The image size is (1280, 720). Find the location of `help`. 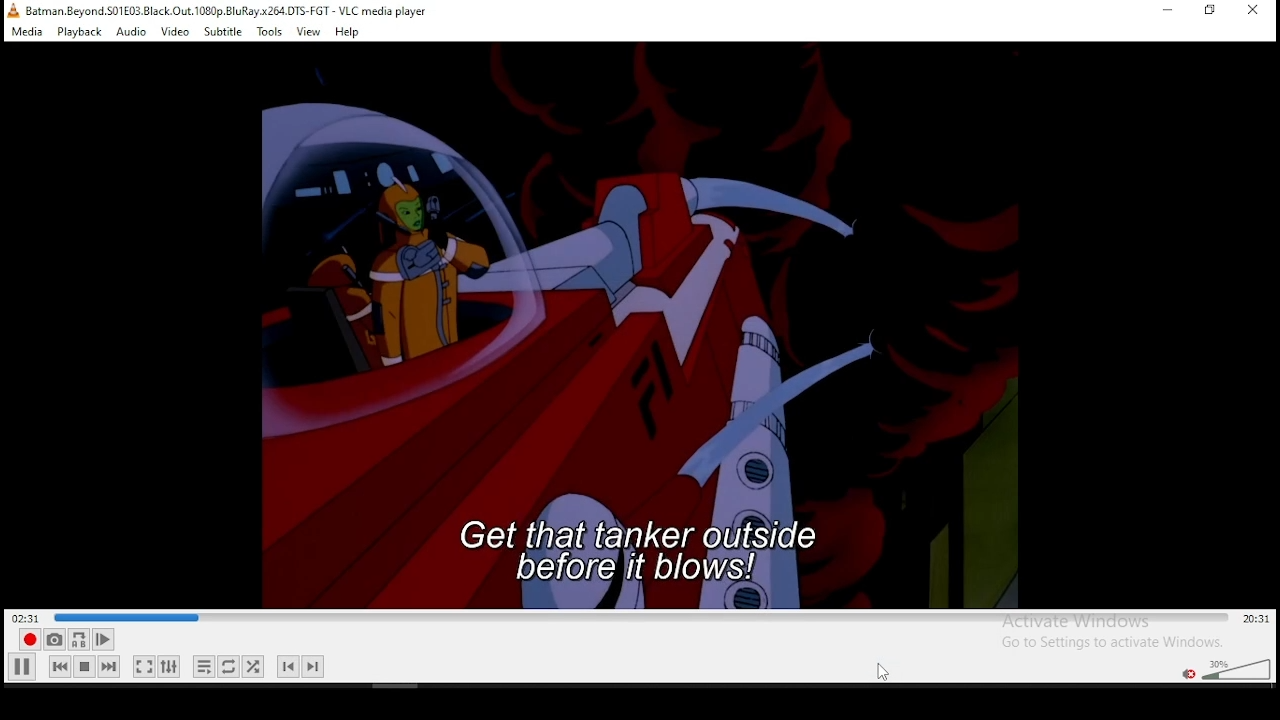

help is located at coordinates (347, 32).